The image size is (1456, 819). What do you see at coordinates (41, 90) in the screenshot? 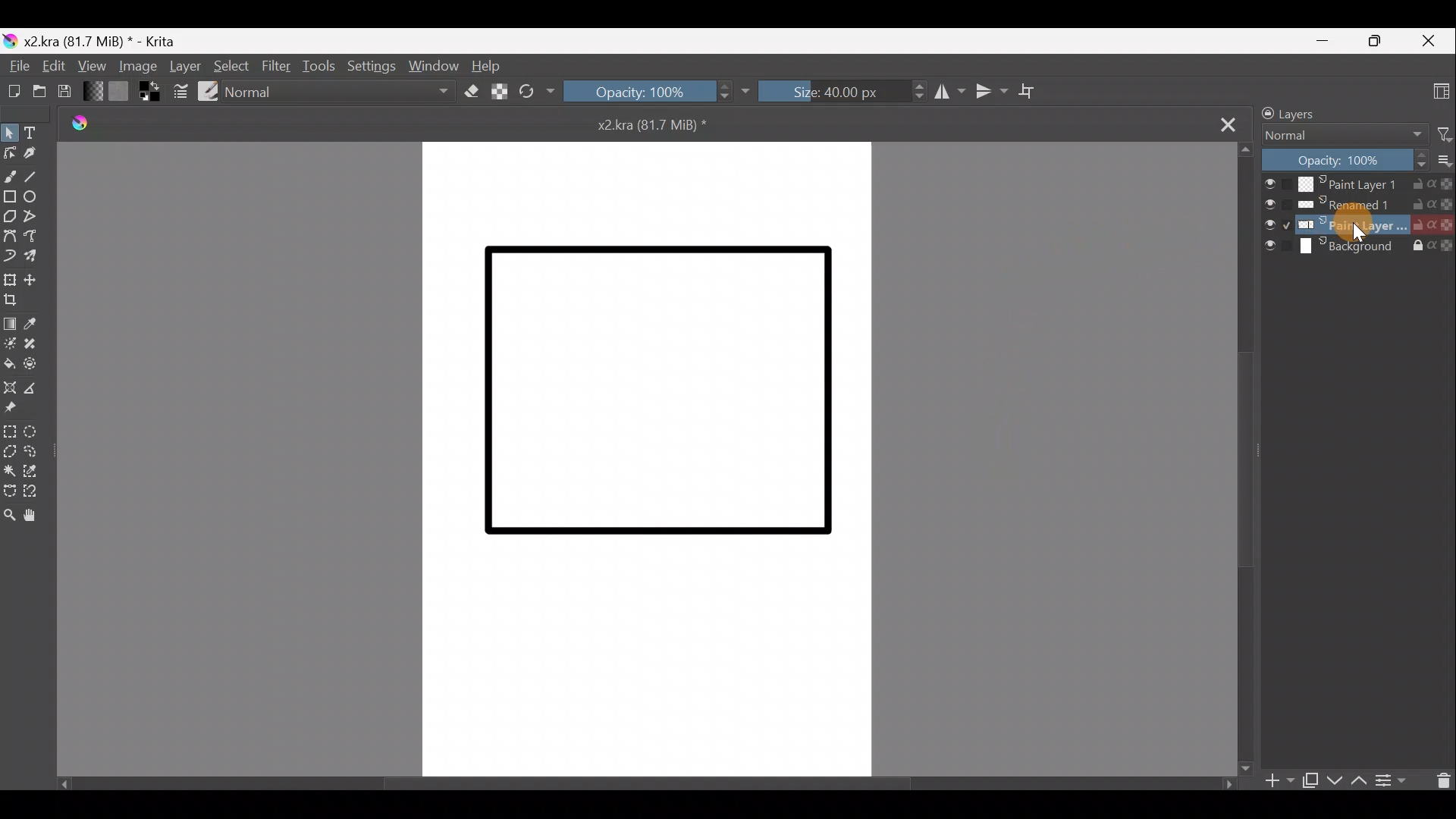
I see `Open an existing document` at bounding box center [41, 90].